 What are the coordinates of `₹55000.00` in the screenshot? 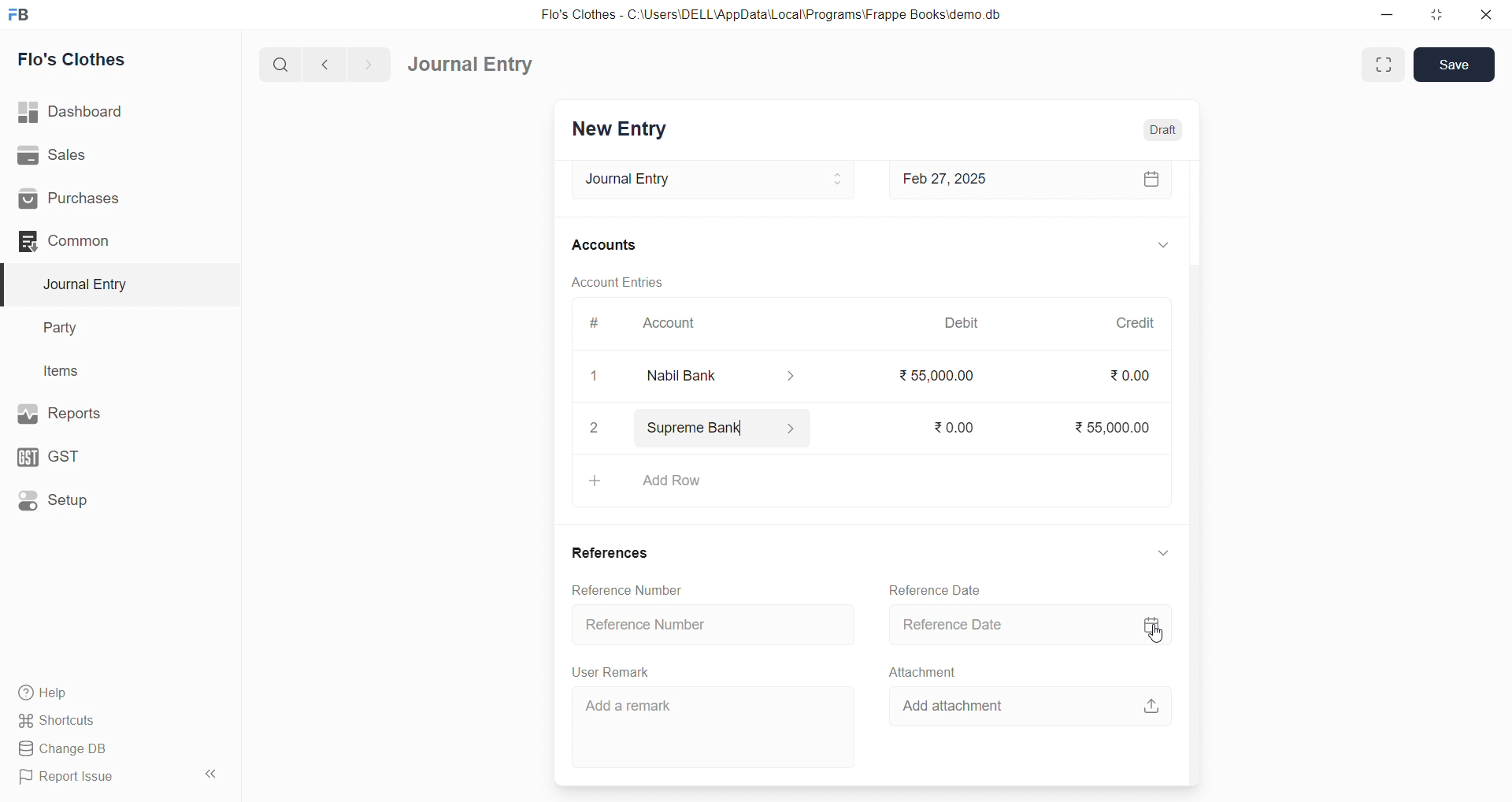 It's located at (931, 372).